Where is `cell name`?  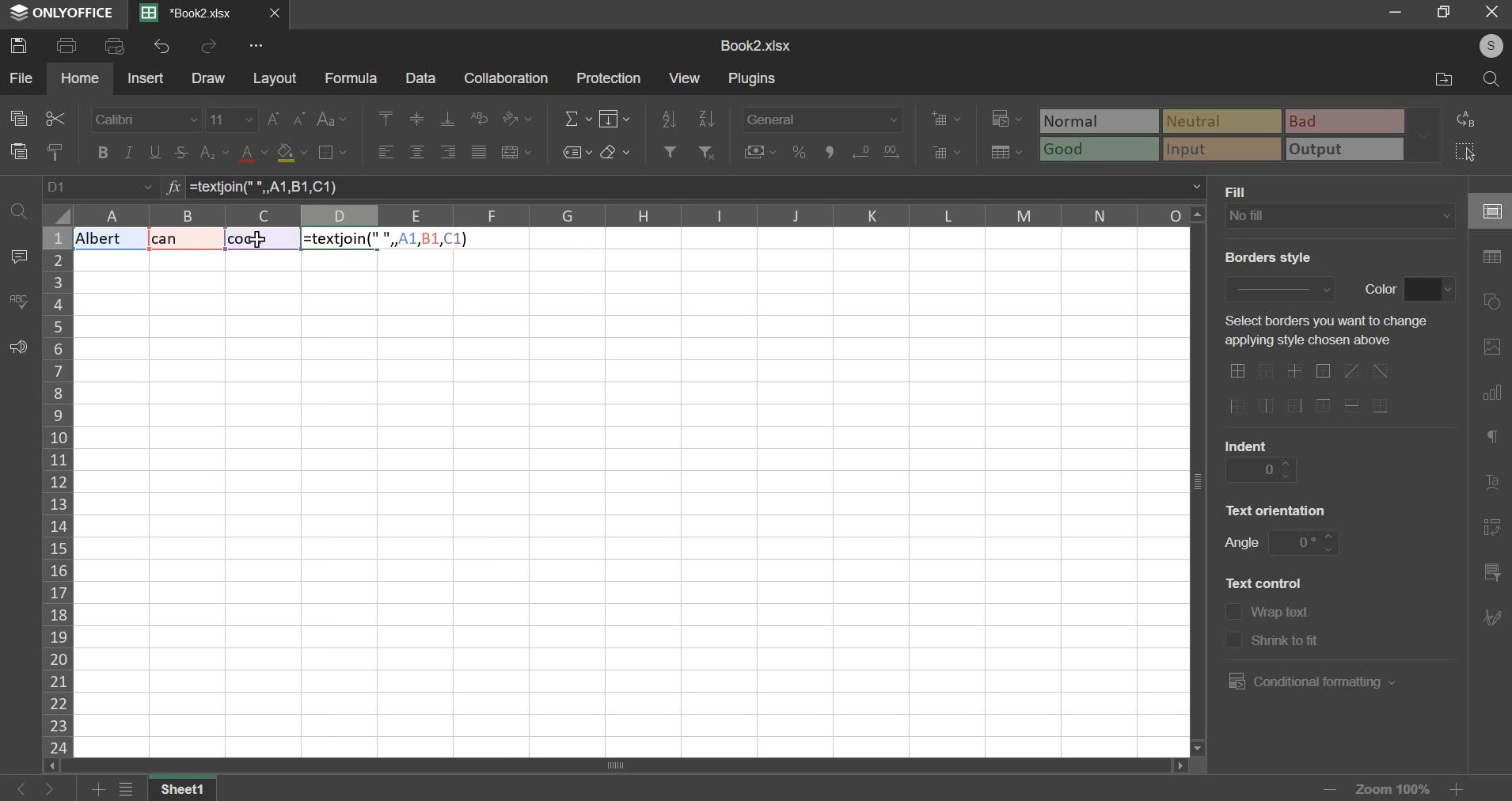 cell name is located at coordinates (101, 188).